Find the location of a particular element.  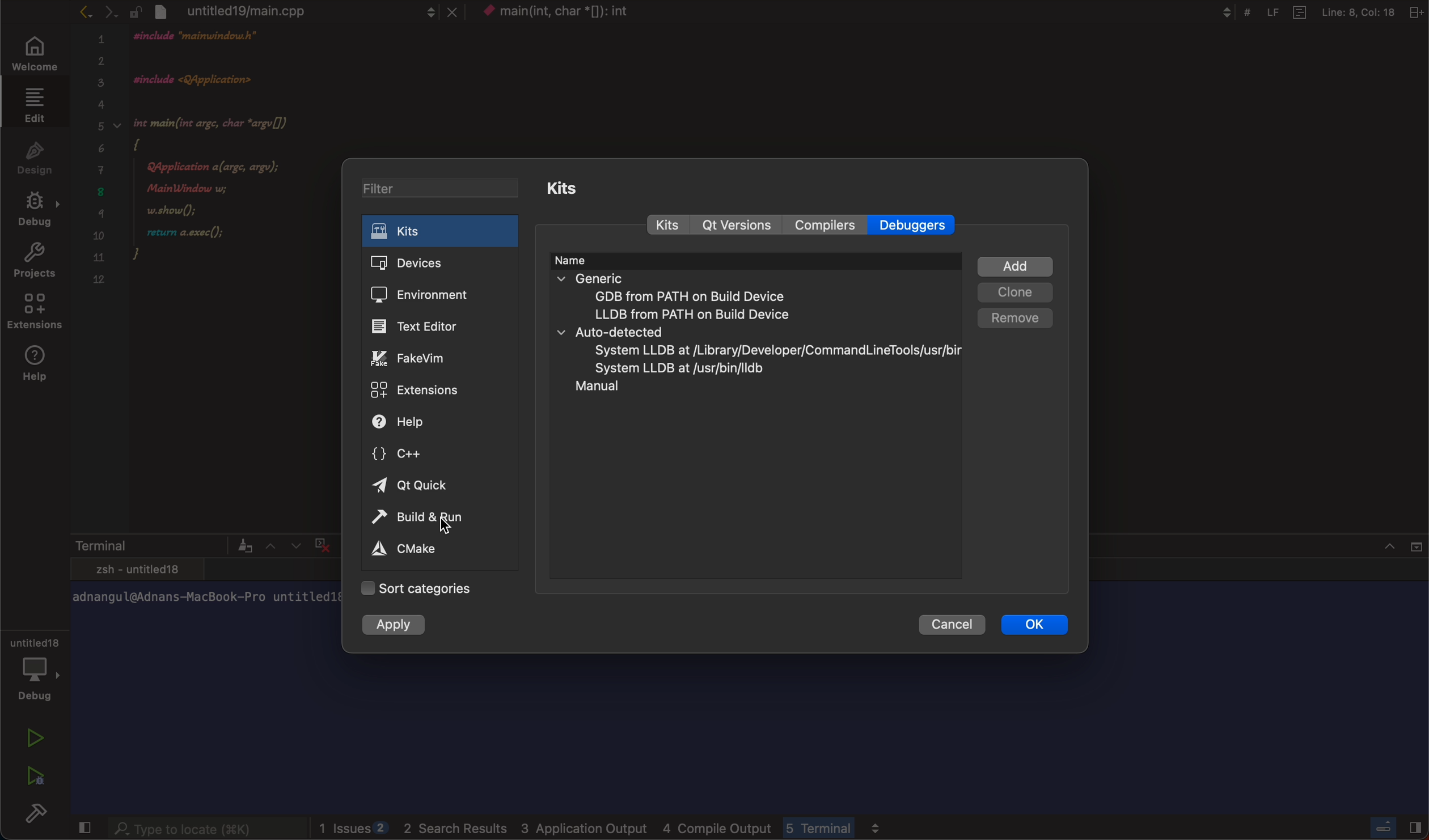

searchbar is located at coordinates (197, 826).